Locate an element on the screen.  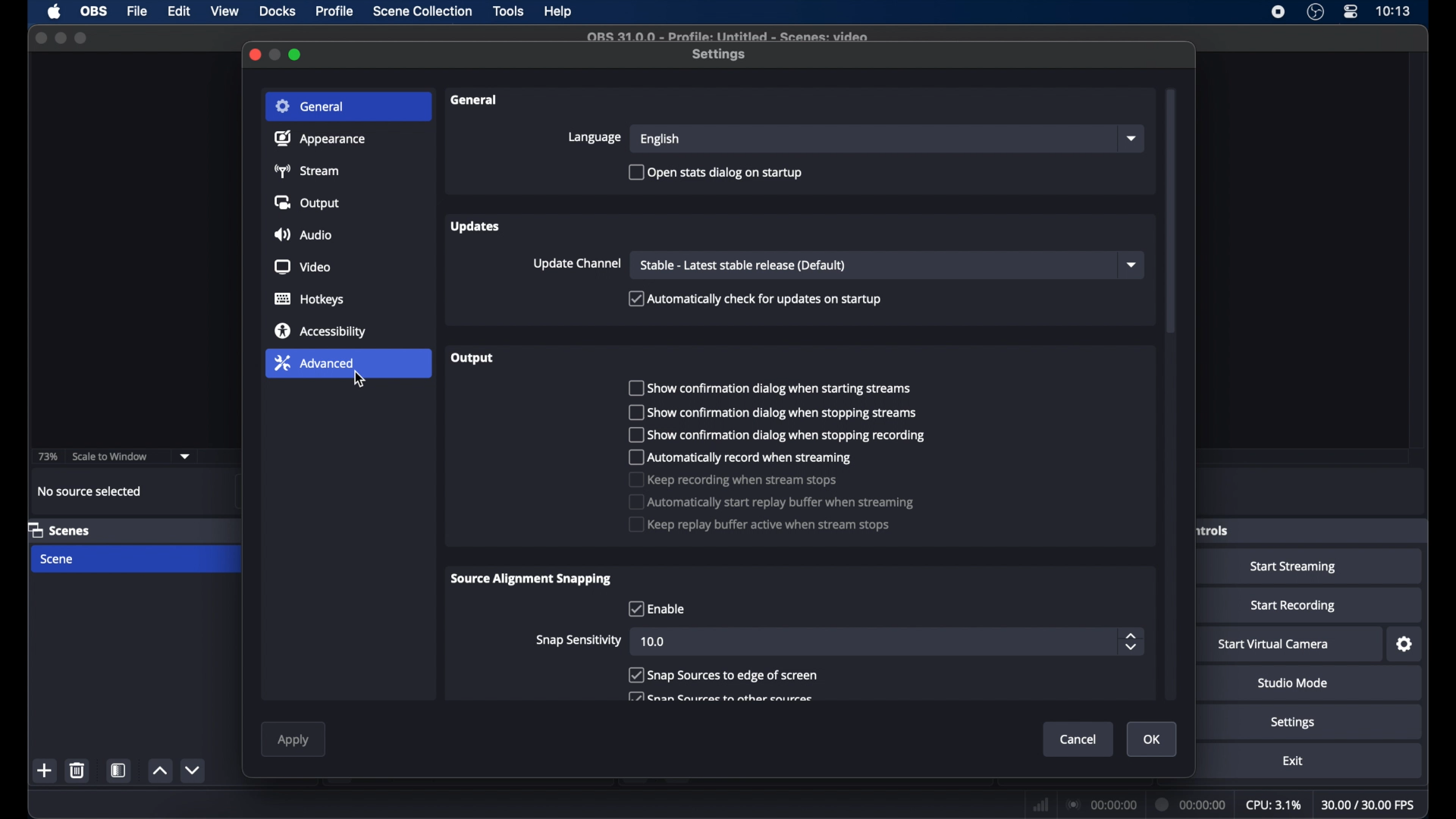
minimize is located at coordinates (276, 54).